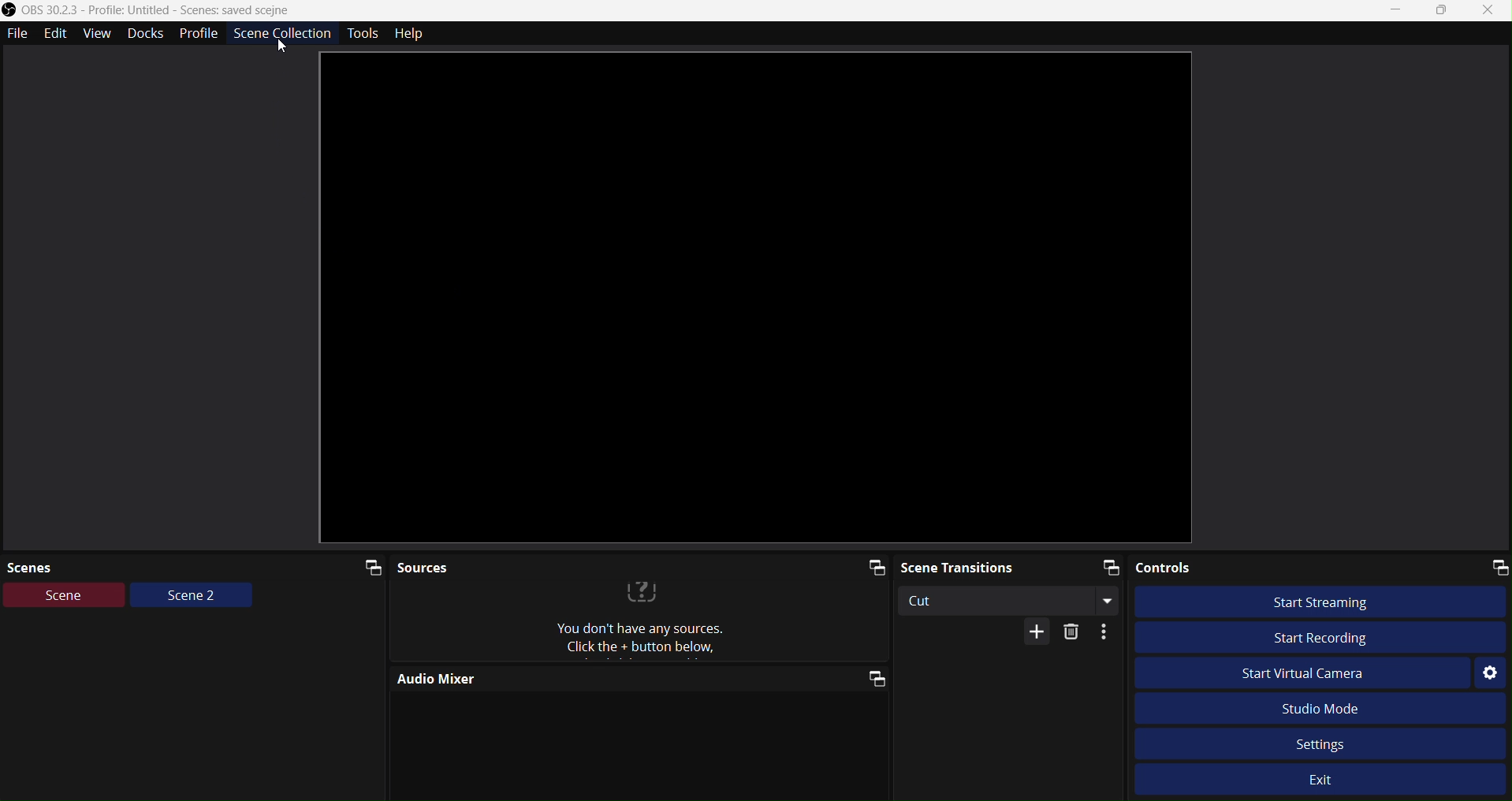 The width and height of the screenshot is (1512, 801). What do you see at coordinates (1325, 782) in the screenshot?
I see `Exit` at bounding box center [1325, 782].